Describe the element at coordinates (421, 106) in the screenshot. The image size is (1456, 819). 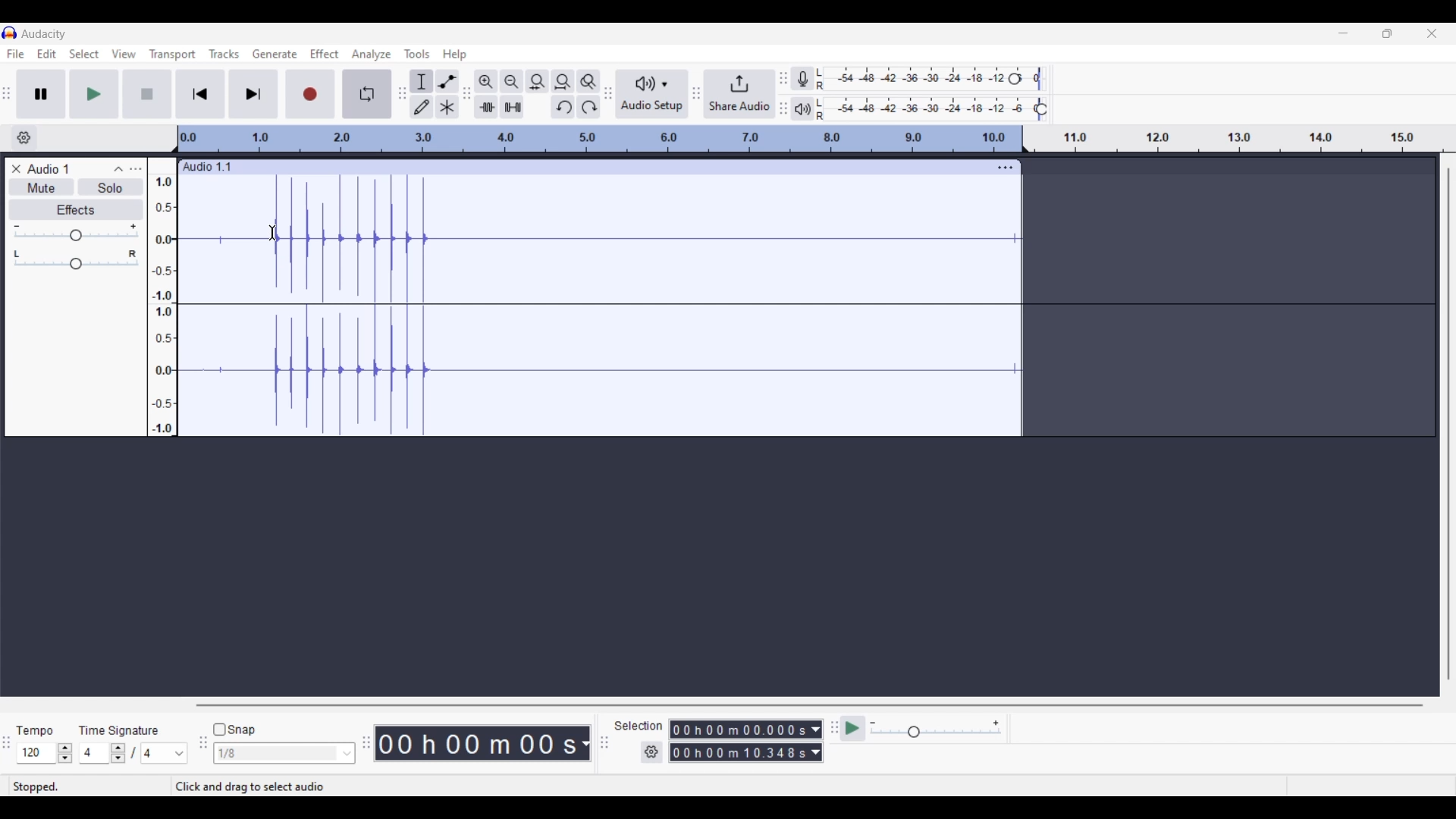
I see `Draw tool` at that location.